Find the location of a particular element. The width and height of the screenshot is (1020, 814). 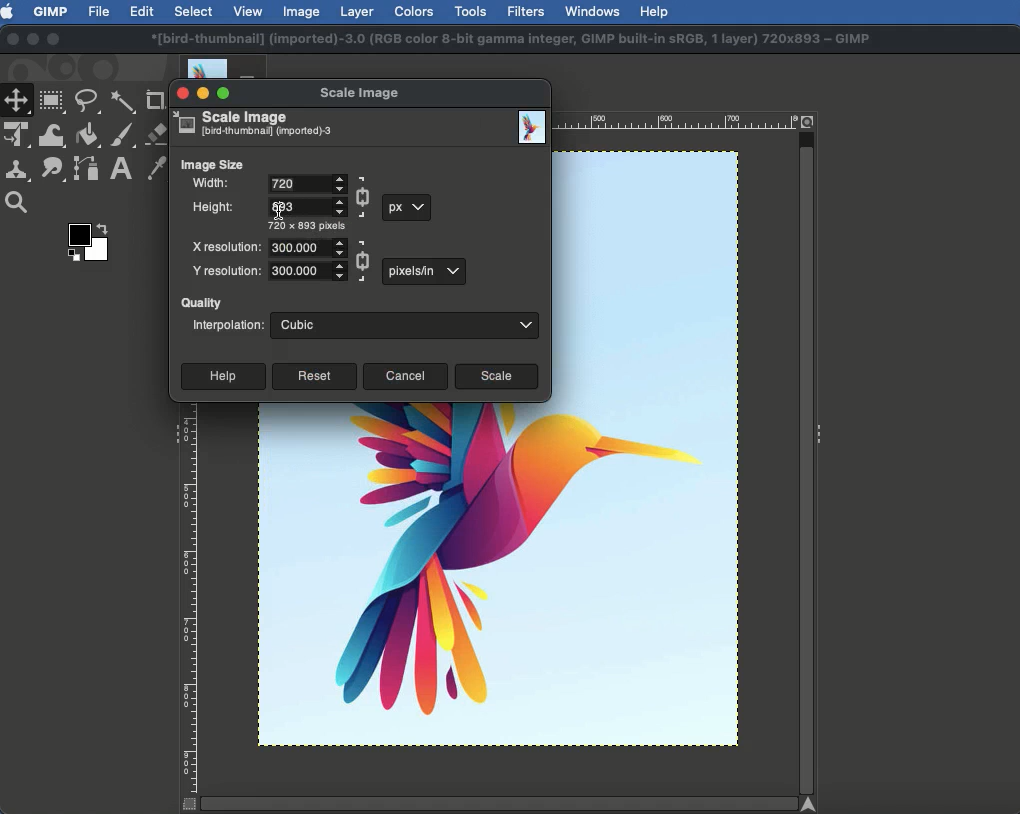

px in is located at coordinates (422, 272).